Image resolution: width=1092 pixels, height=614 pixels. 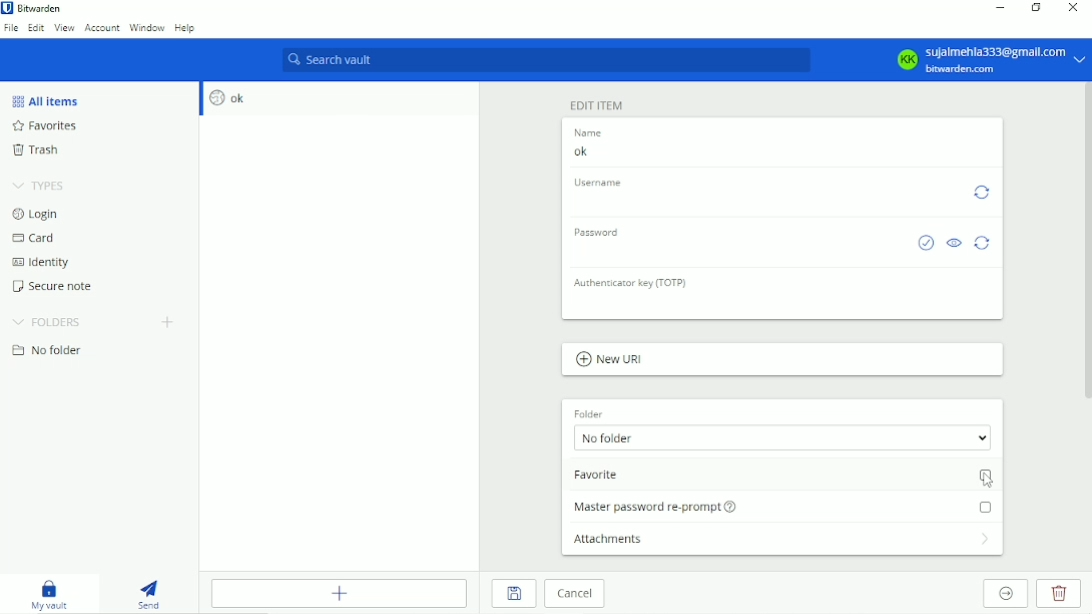 What do you see at coordinates (169, 323) in the screenshot?
I see `Create folder` at bounding box center [169, 323].